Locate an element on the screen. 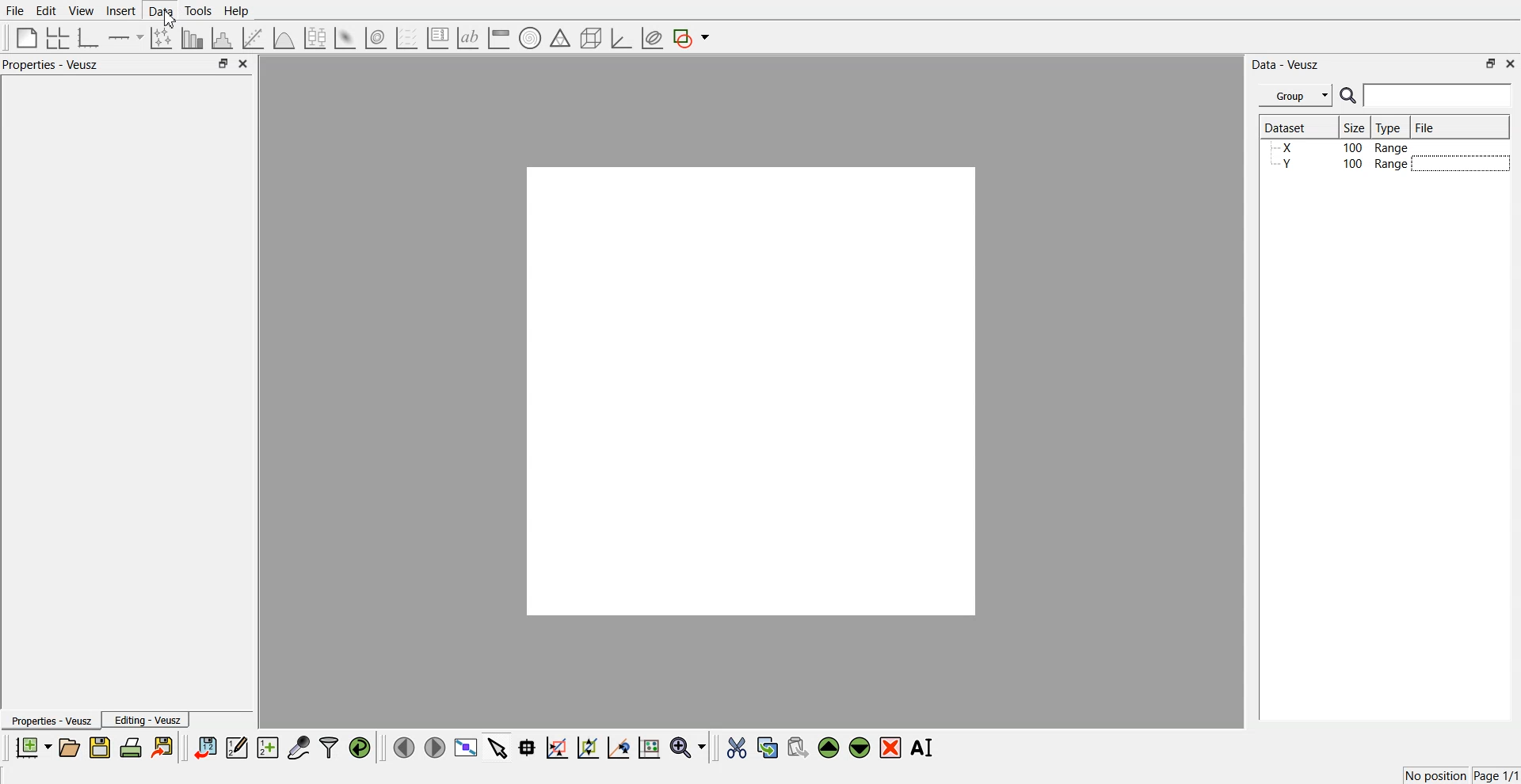  Text label is located at coordinates (468, 38).